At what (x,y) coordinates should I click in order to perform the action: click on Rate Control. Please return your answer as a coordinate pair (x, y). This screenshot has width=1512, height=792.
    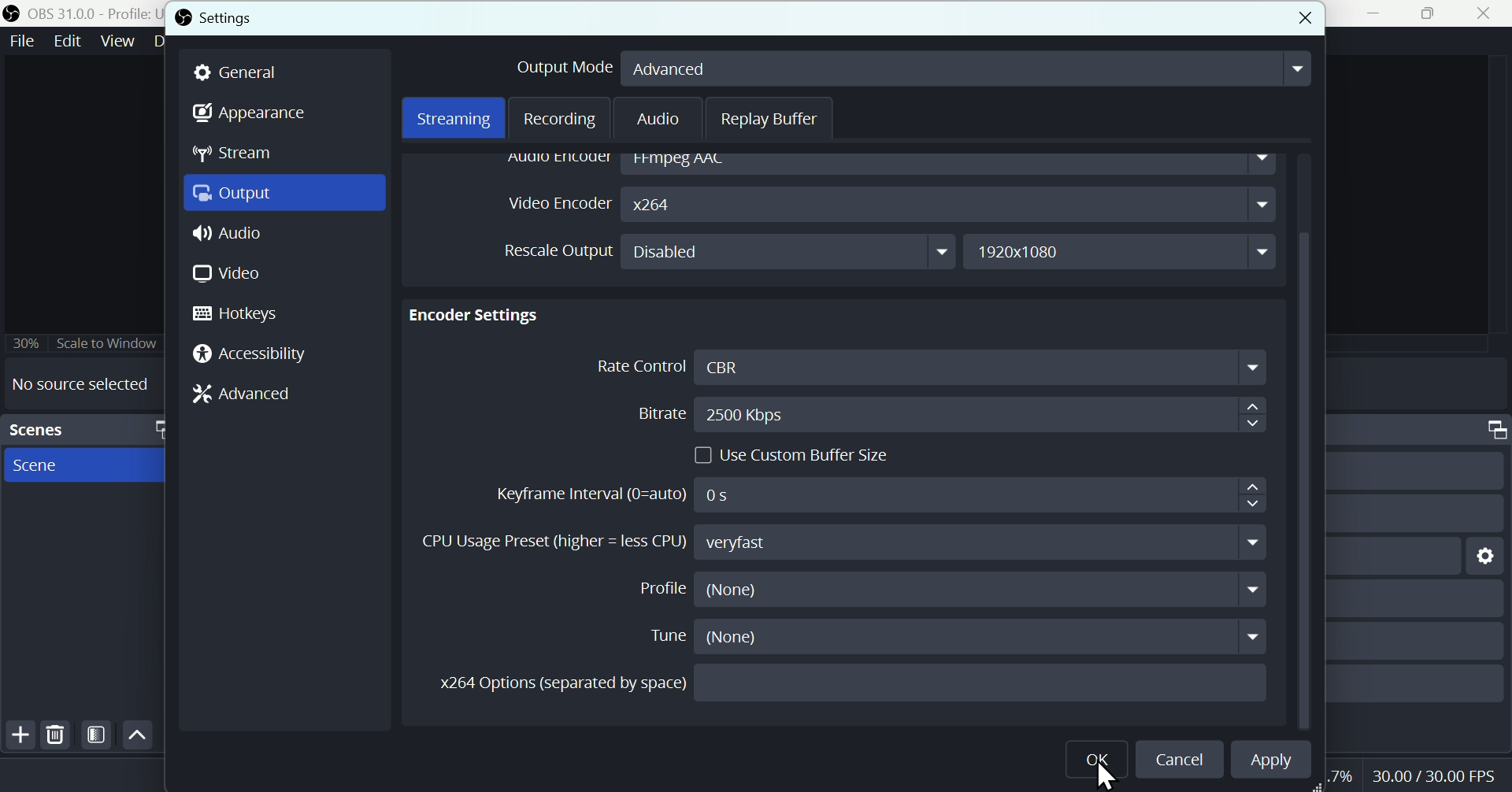
    Looking at the image, I should click on (929, 368).